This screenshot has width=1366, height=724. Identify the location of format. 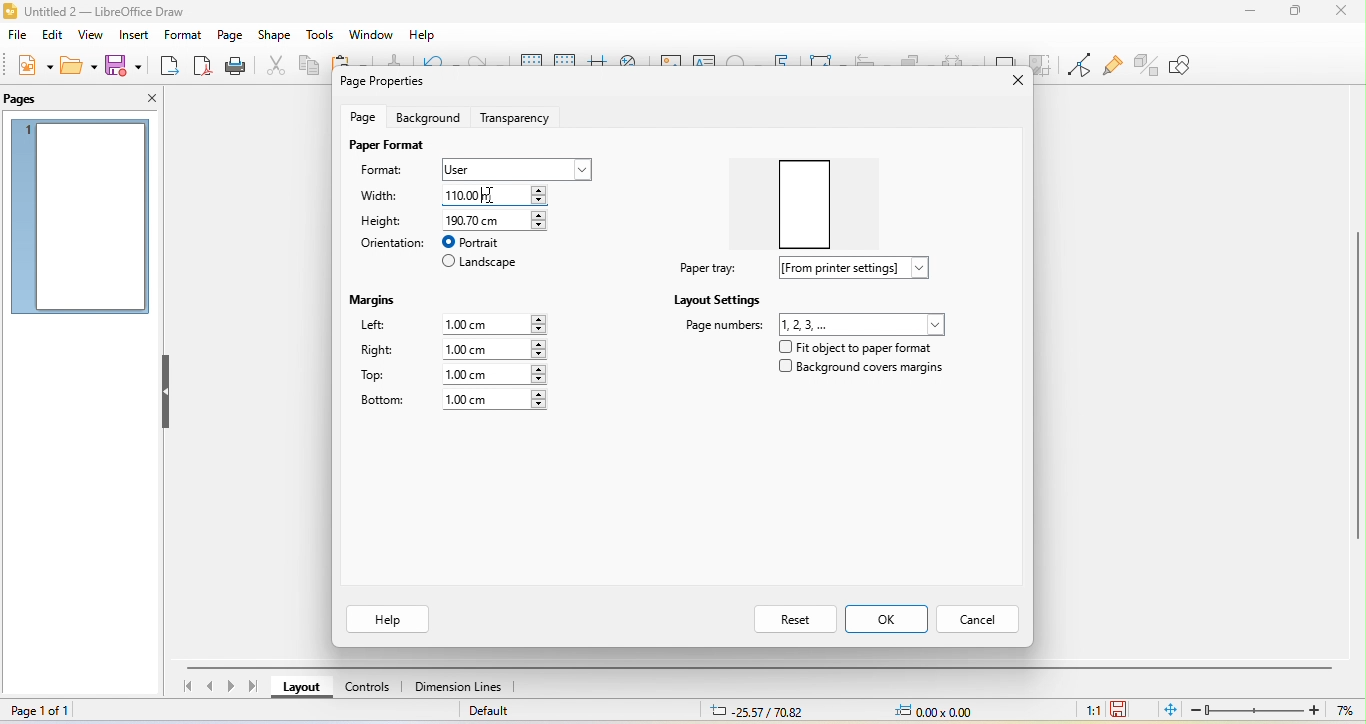
(391, 172).